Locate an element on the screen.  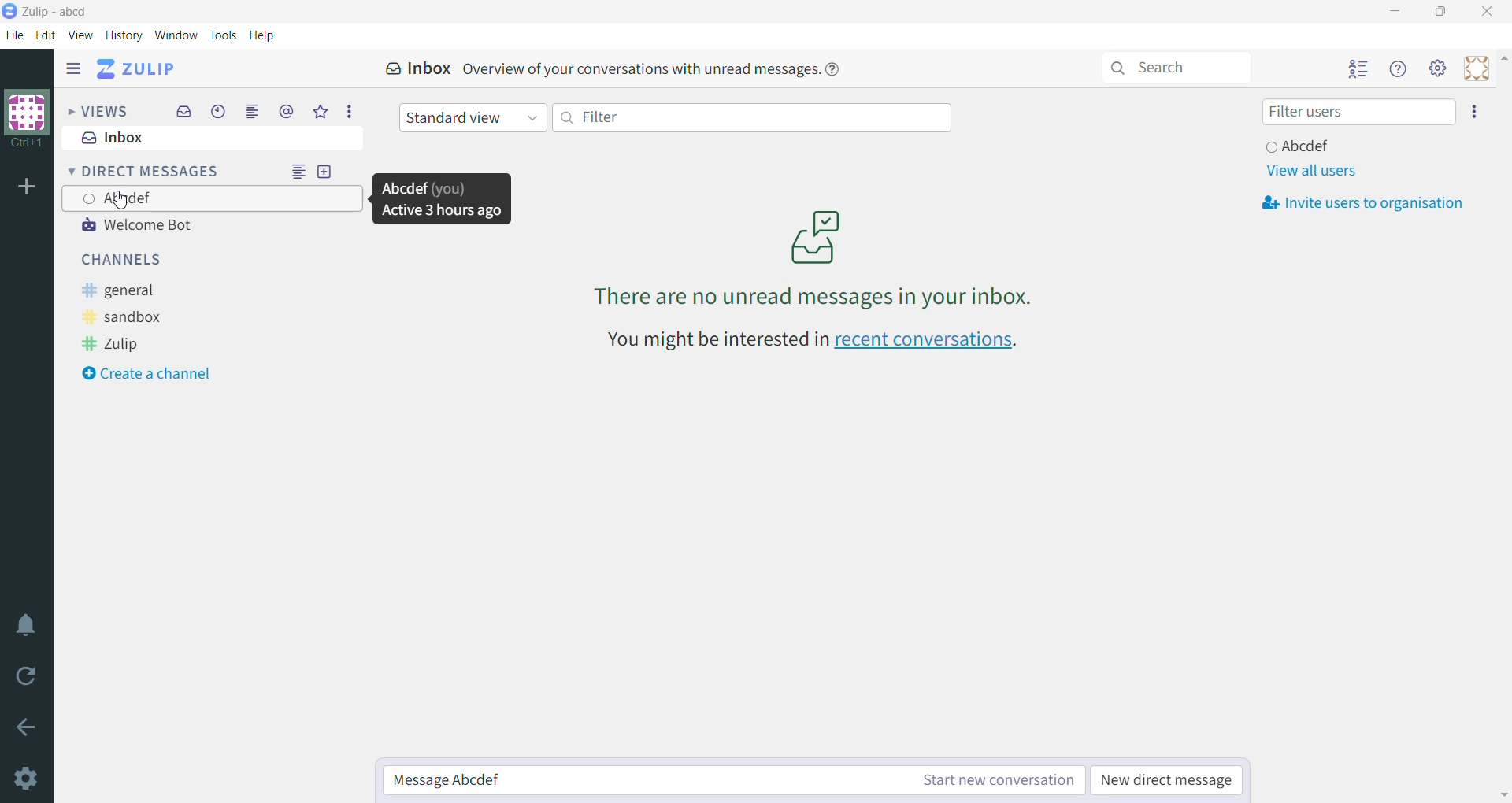
Filter is located at coordinates (753, 118).